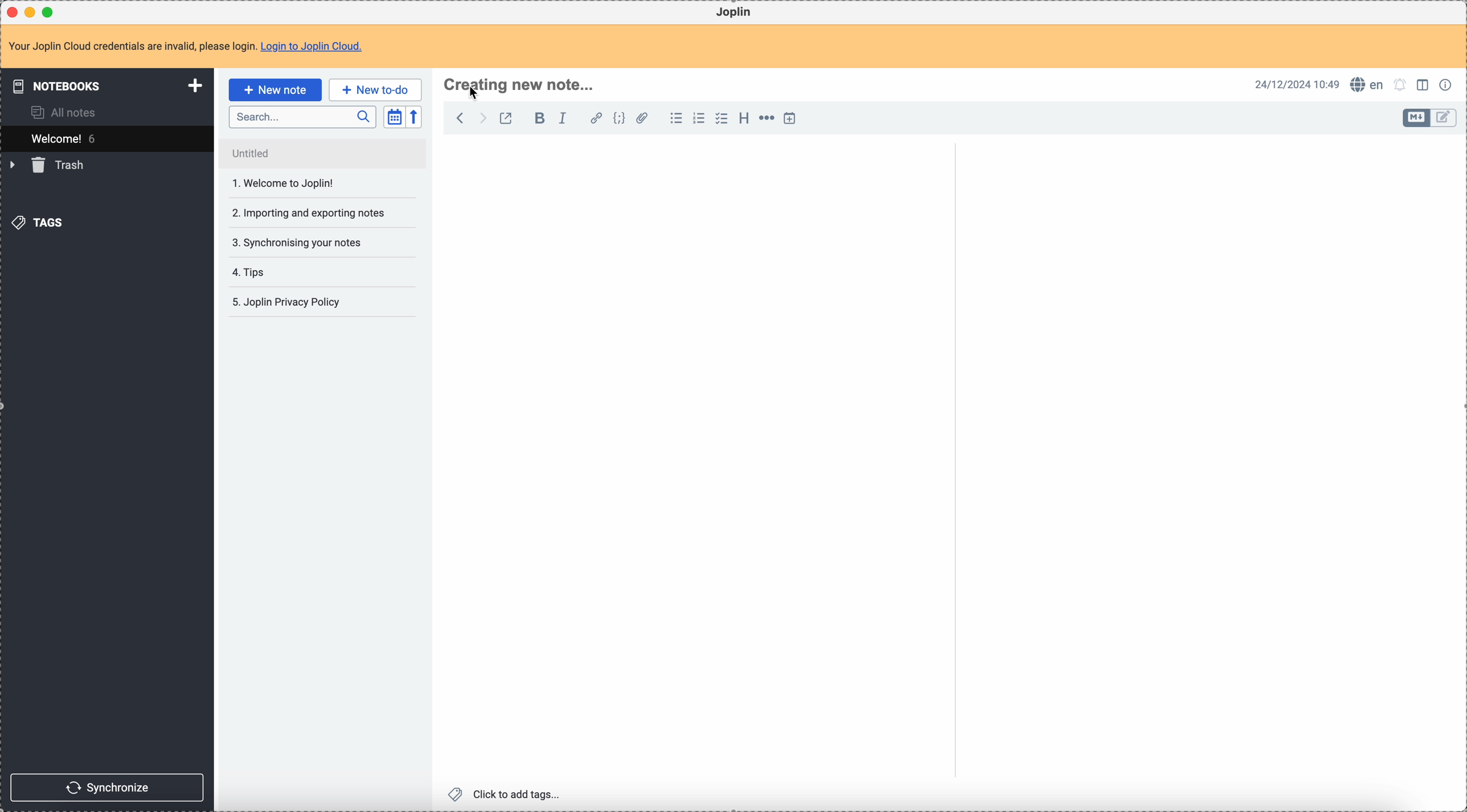 This screenshot has width=1467, height=812. Describe the element at coordinates (483, 118) in the screenshot. I see `foward` at that location.